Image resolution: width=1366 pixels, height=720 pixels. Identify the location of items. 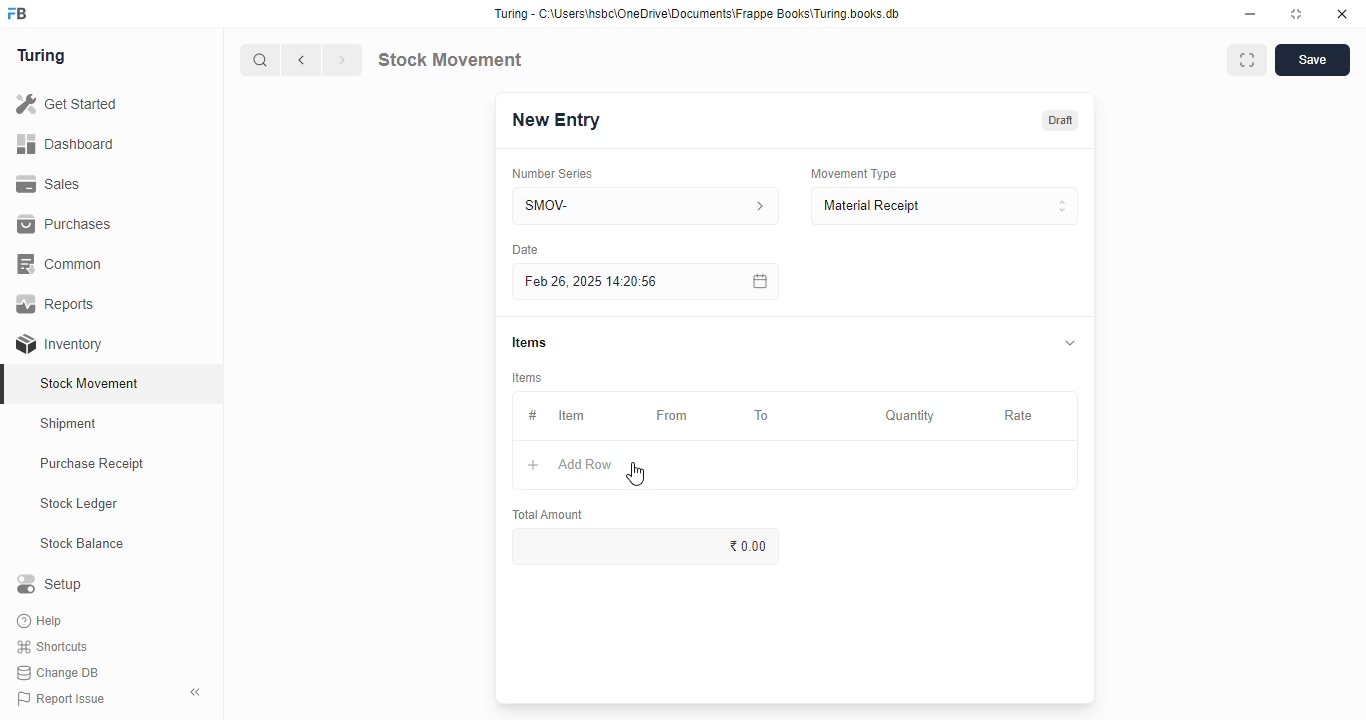
(528, 378).